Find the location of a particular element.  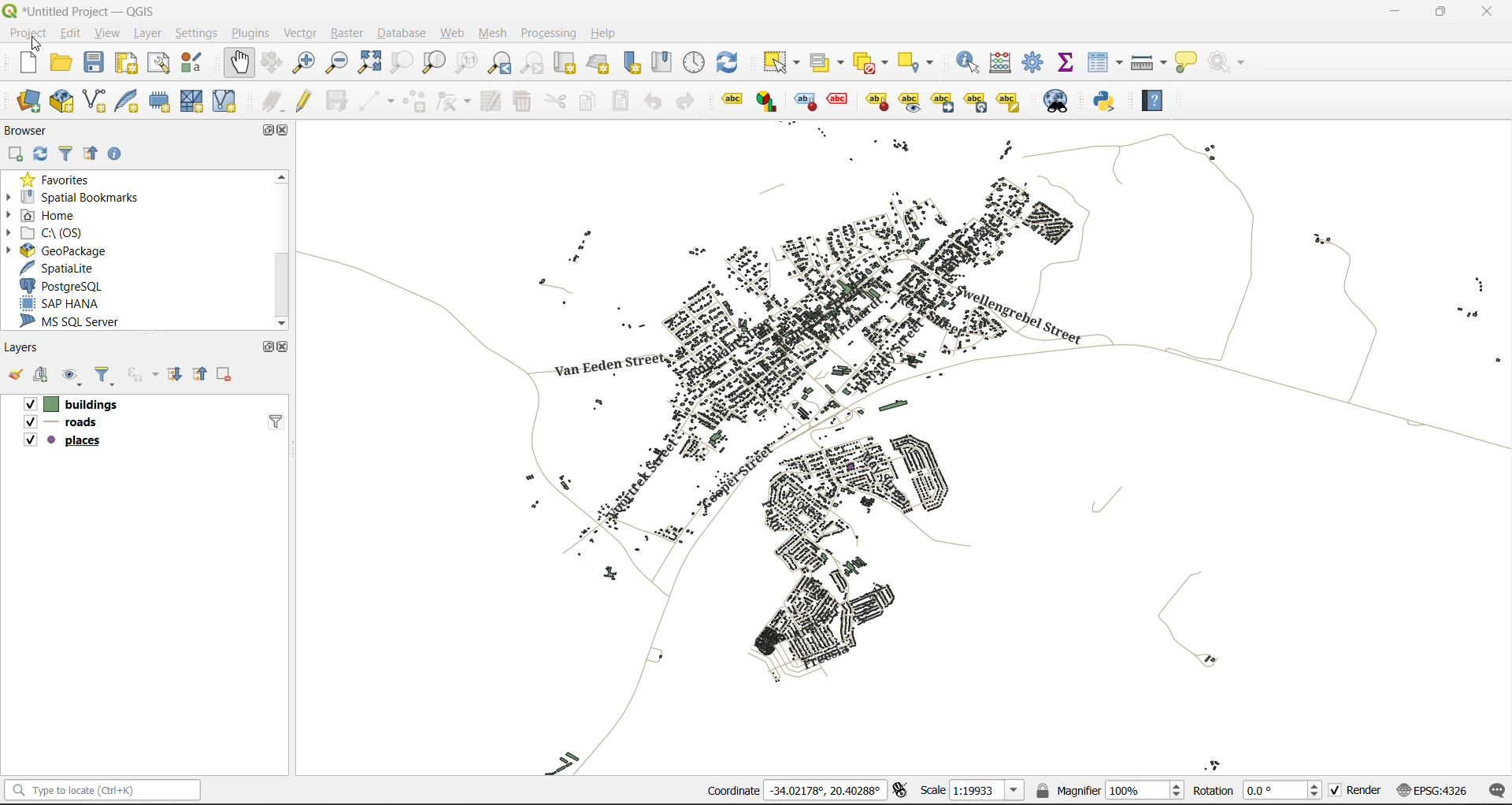

status bar is located at coordinates (100, 791).